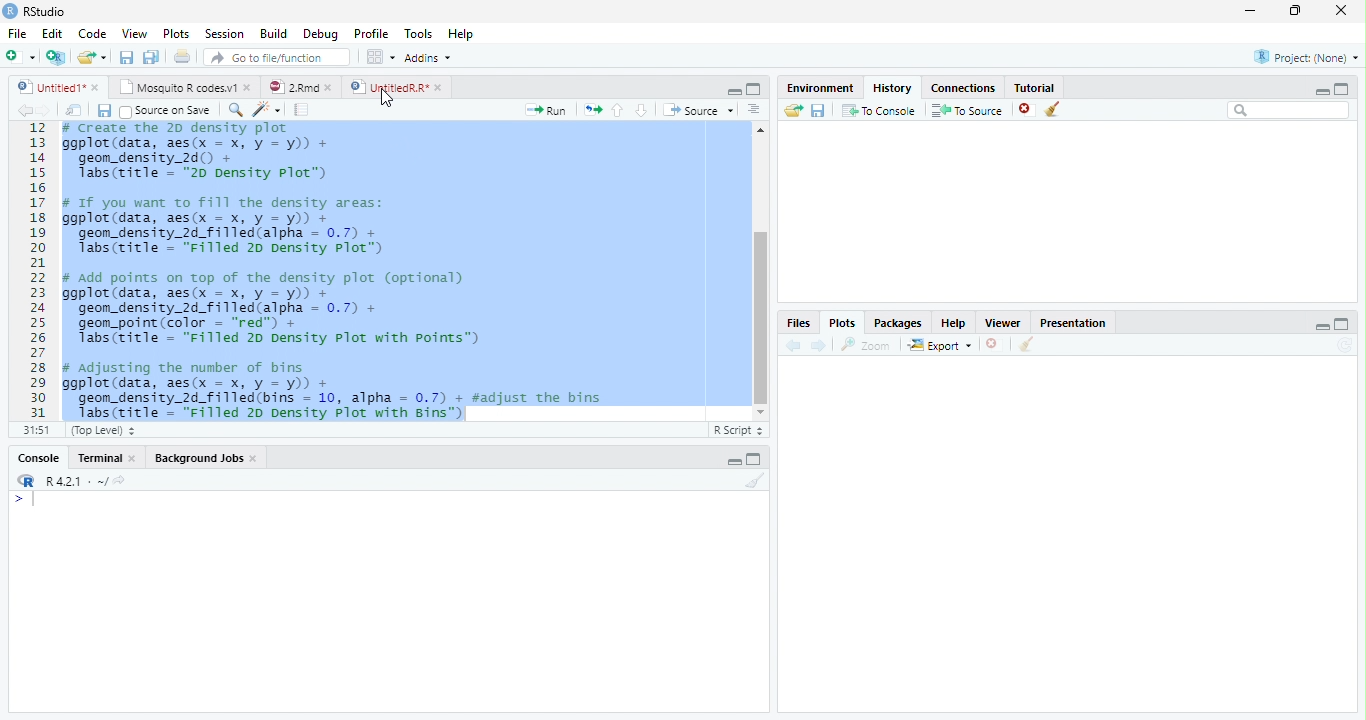 Image resolution: width=1366 pixels, height=720 pixels. I want to click on Run, so click(543, 111).